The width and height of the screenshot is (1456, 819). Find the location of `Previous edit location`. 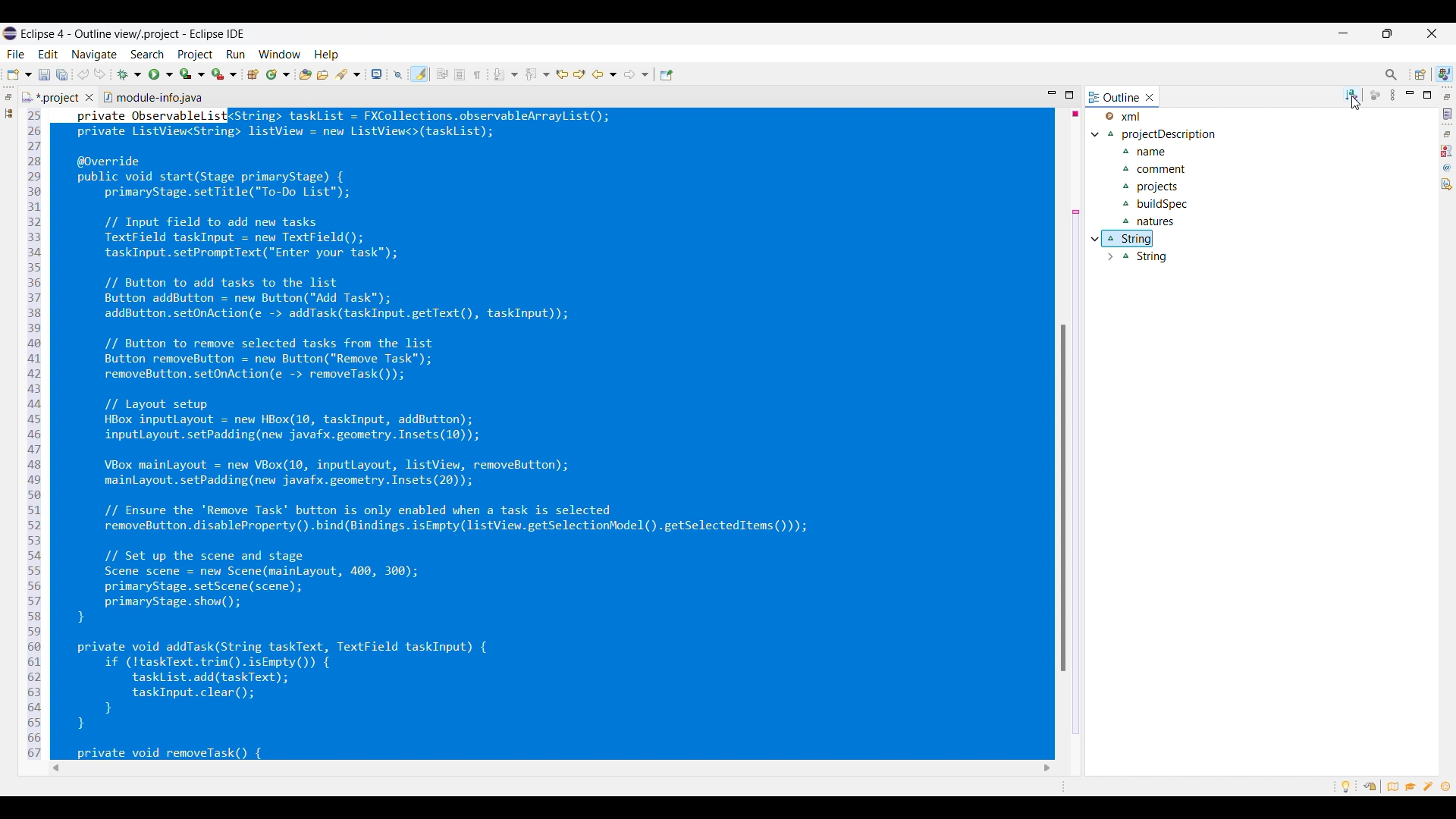

Previous edit location is located at coordinates (562, 74).